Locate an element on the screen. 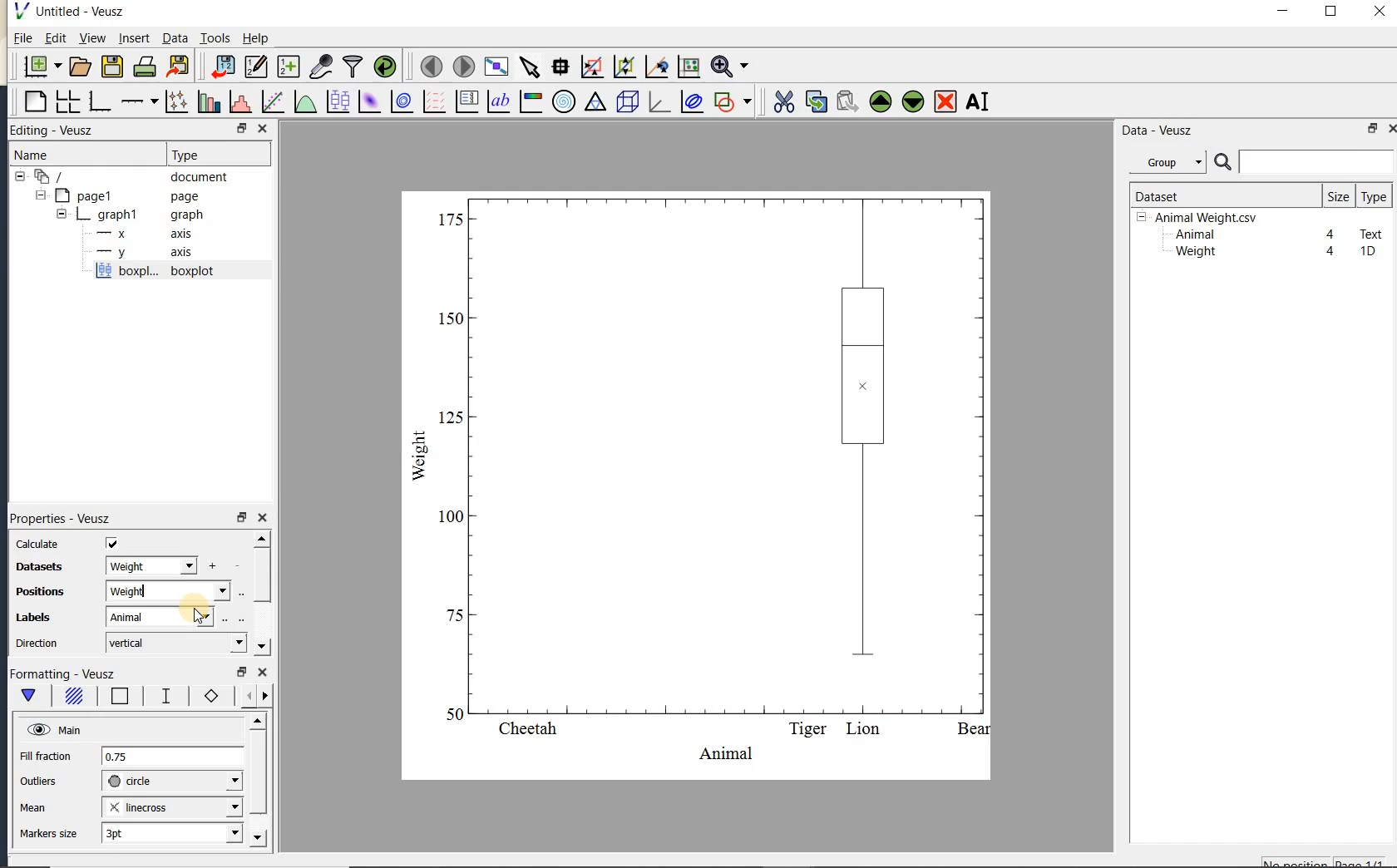 This screenshot has width=1397, height=868. add an axis to the plot is located at coordinates (139, 101).